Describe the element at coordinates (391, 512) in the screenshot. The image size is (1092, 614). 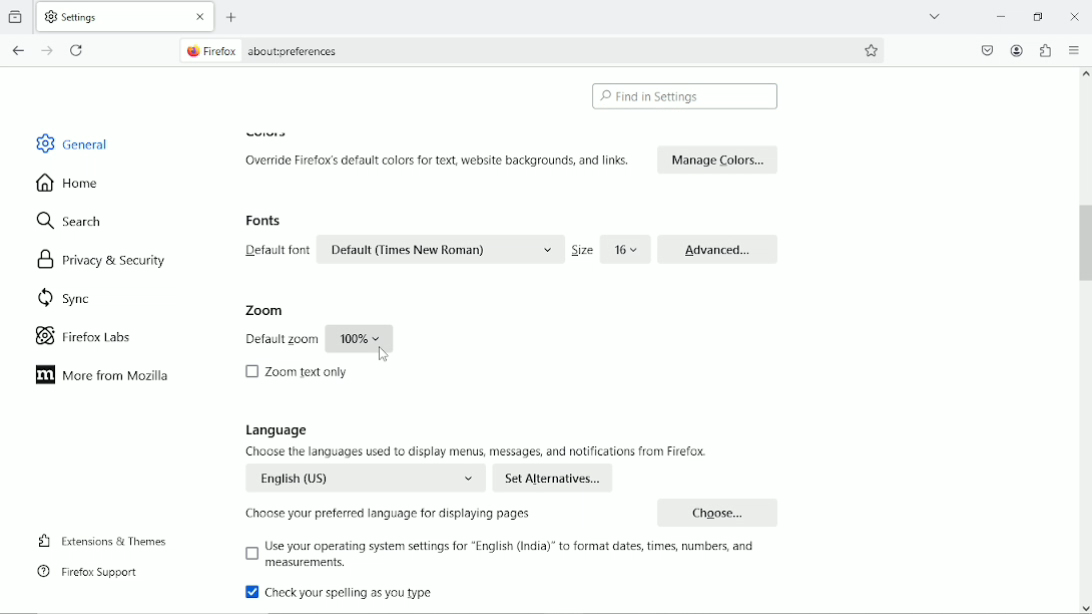
I see `Choose your preferred language for displaying pages` at that location.